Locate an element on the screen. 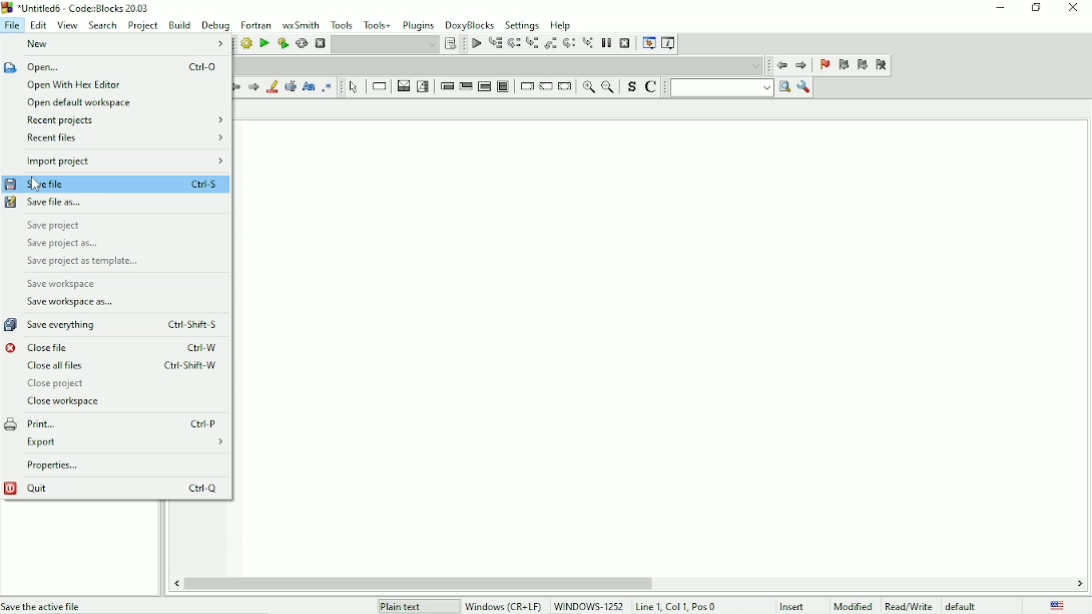 The image size is (1092, 614). Rebuild is located at coordinates (302, 44).